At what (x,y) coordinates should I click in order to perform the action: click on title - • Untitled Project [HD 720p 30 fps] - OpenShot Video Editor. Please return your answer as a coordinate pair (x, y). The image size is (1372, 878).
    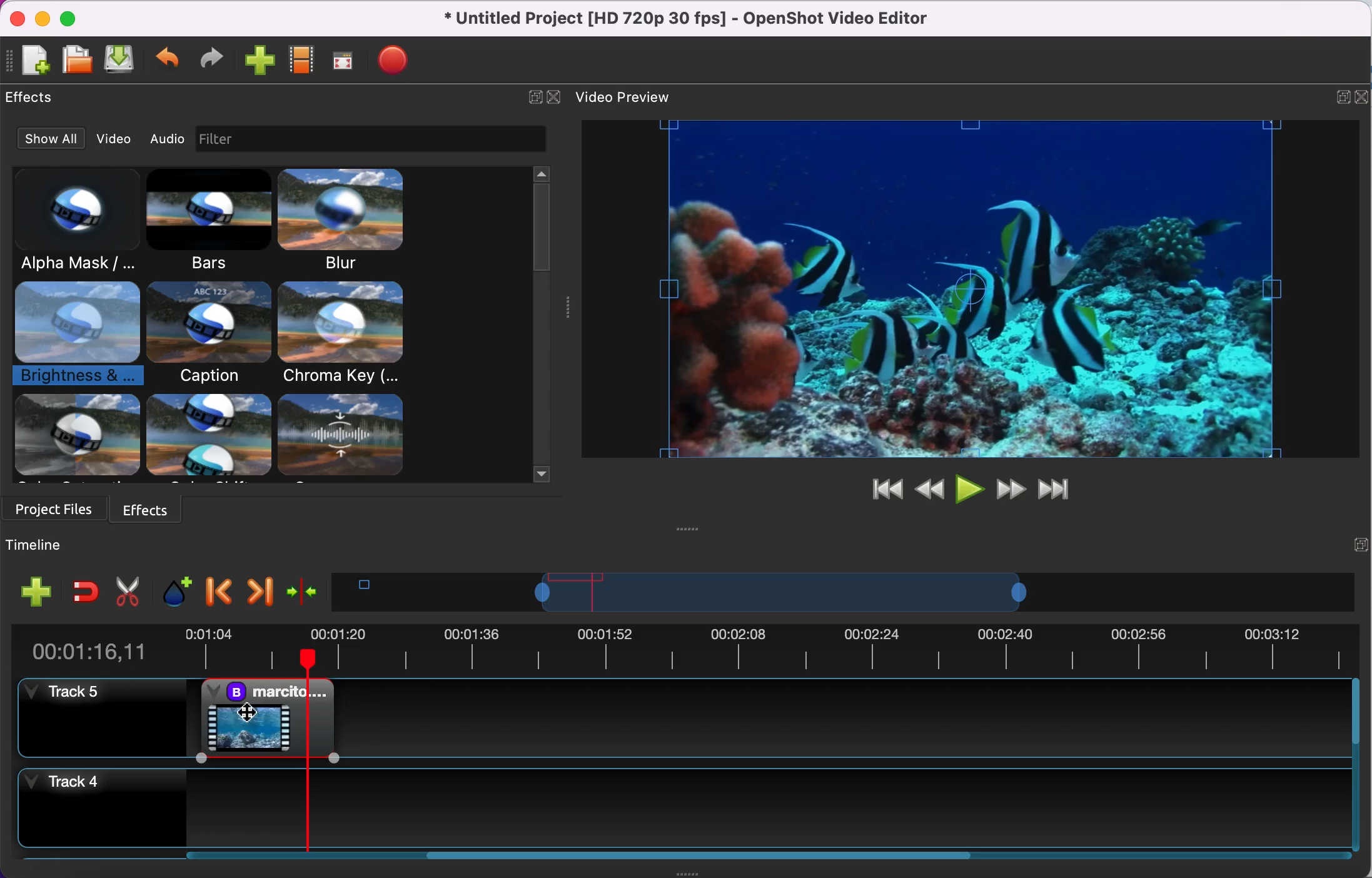
    Looking at the image, I should click on (680, 19).